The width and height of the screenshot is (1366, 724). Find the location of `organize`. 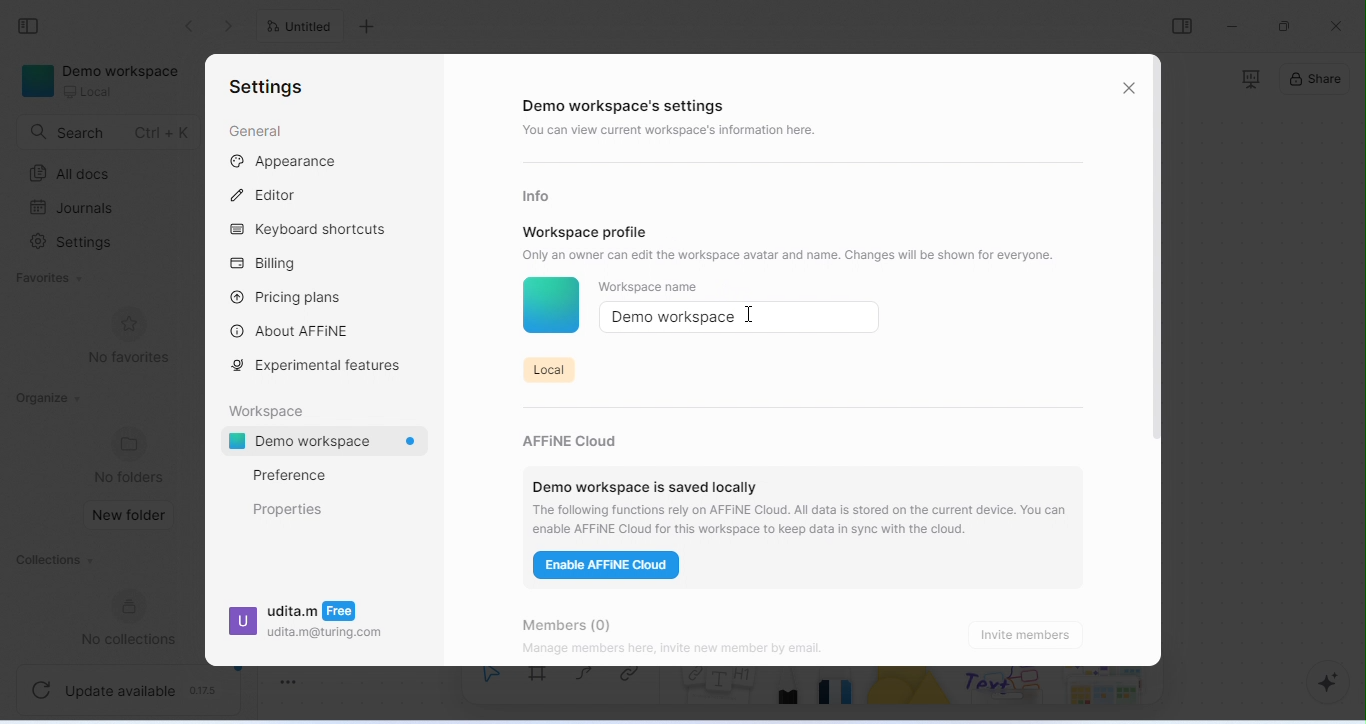

organize is located at coordinates (47, 398).